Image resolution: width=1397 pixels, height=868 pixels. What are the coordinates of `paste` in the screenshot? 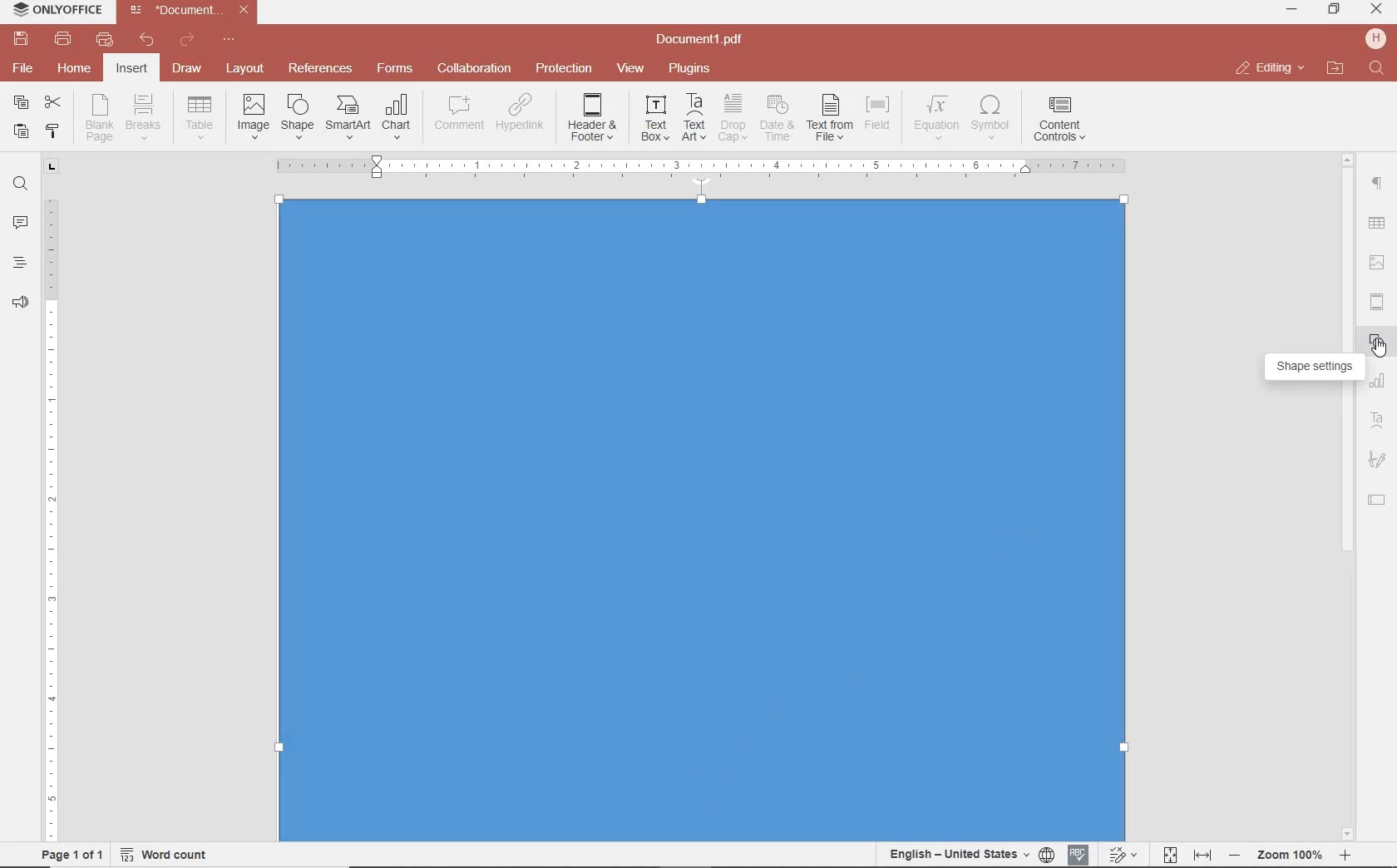 It's located at (19, 131).